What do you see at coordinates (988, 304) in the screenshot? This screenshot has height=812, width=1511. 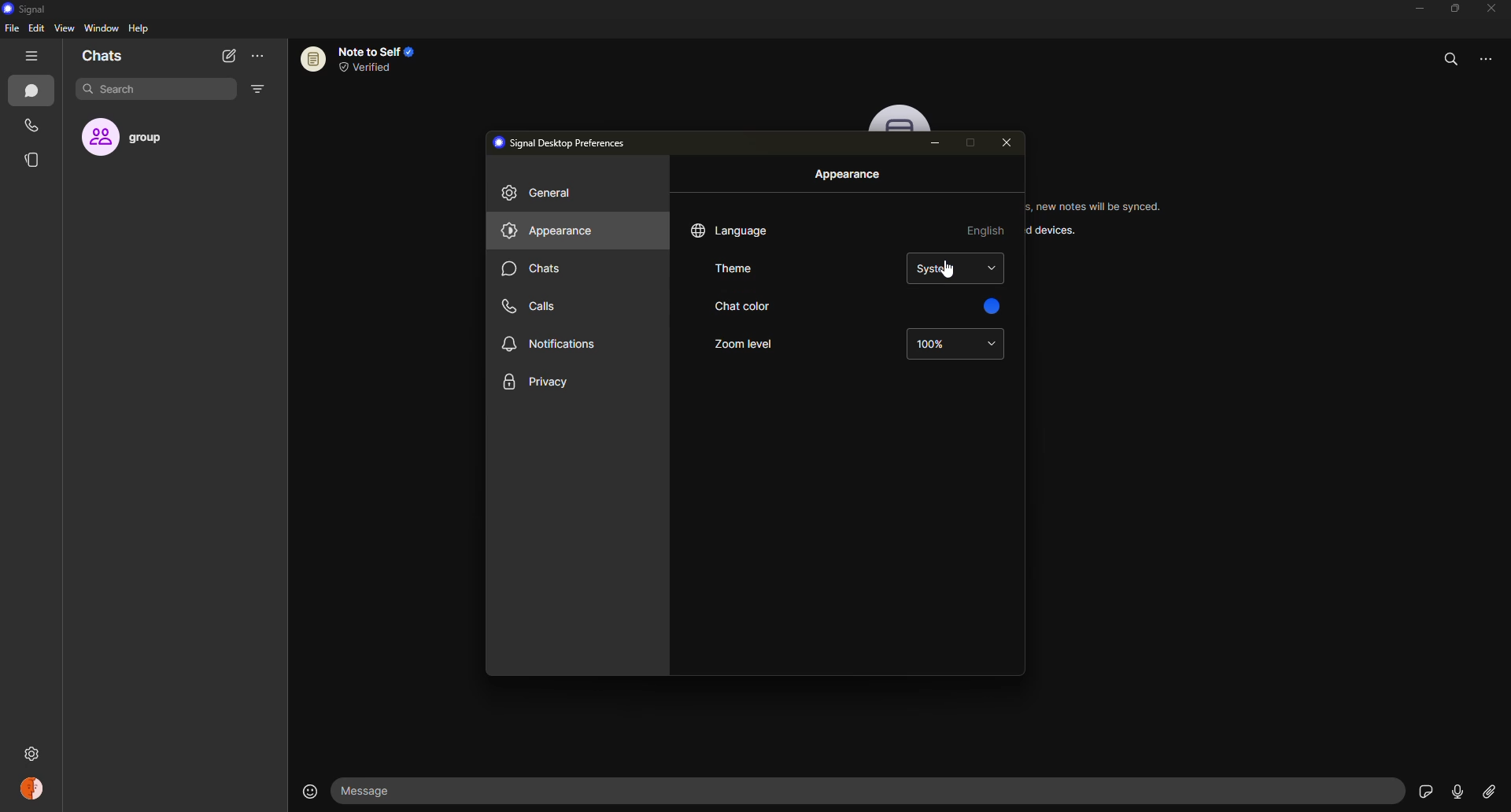 I see `blue` at bounding box center [988, 304].